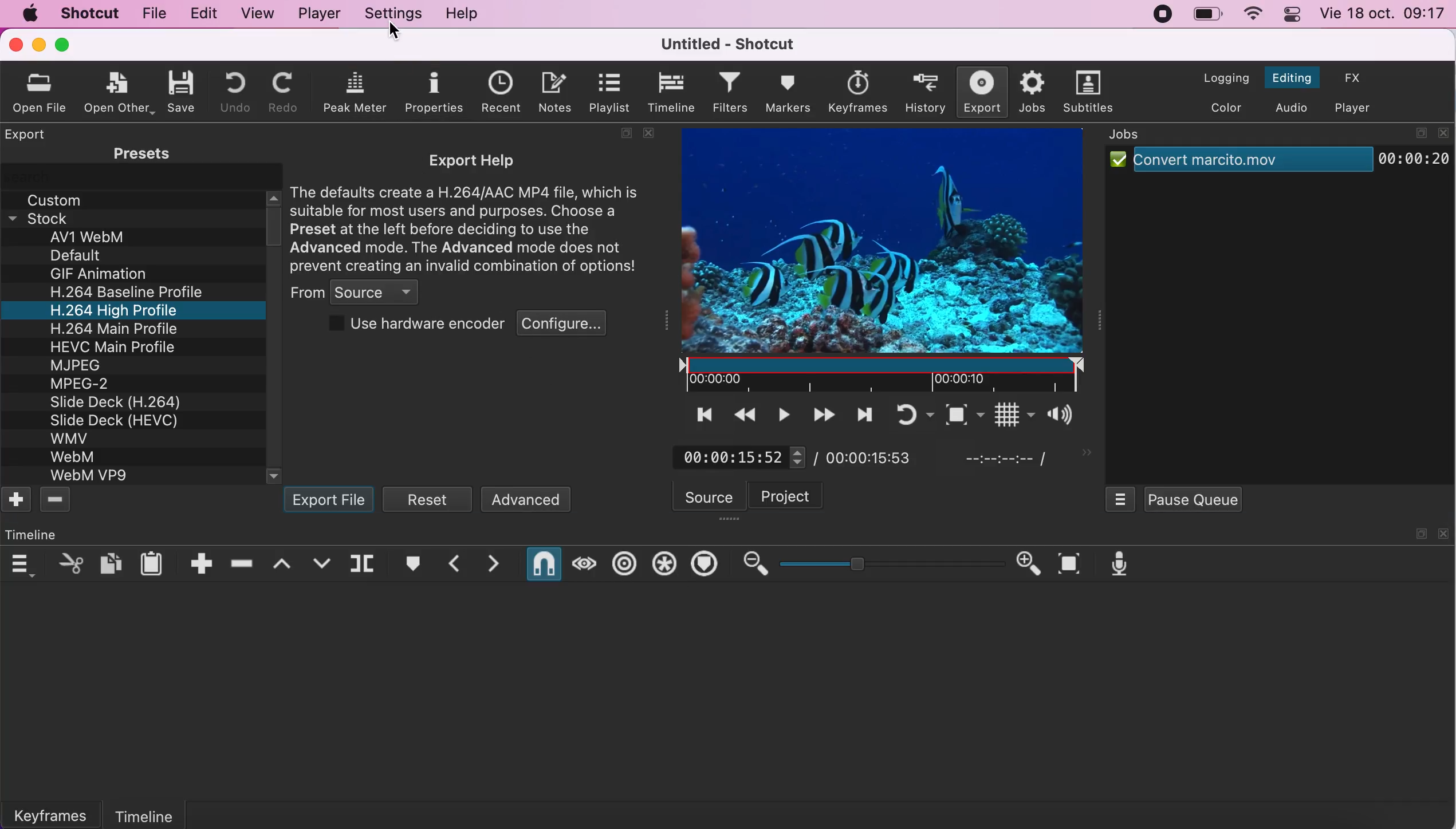 This screenshot has width=1456, height=829. Describe the element at coordinates (68, 437) in the screenshot. I see `WMV` at that location.